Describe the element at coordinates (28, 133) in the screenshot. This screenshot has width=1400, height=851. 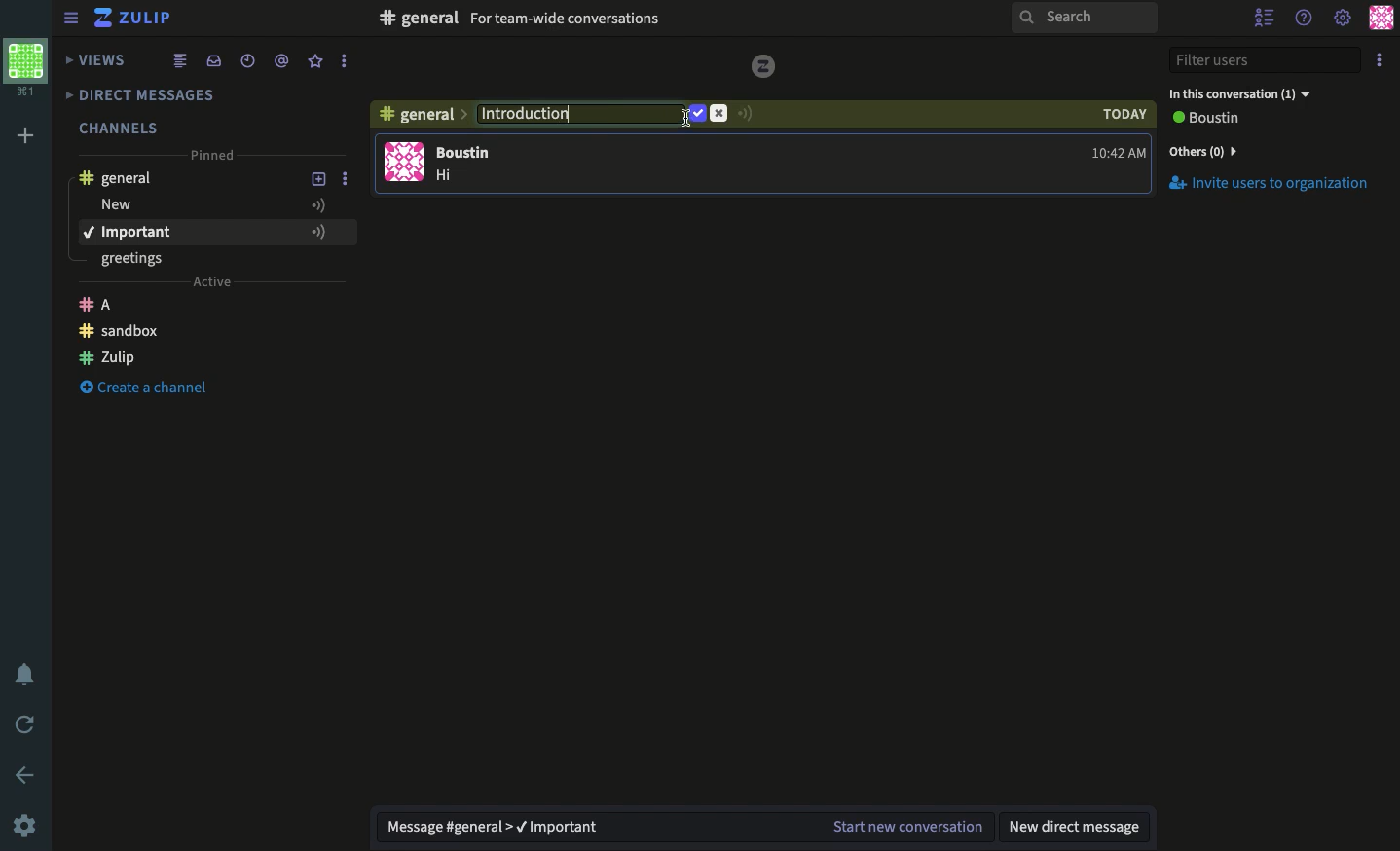
I see `Add` at that location.